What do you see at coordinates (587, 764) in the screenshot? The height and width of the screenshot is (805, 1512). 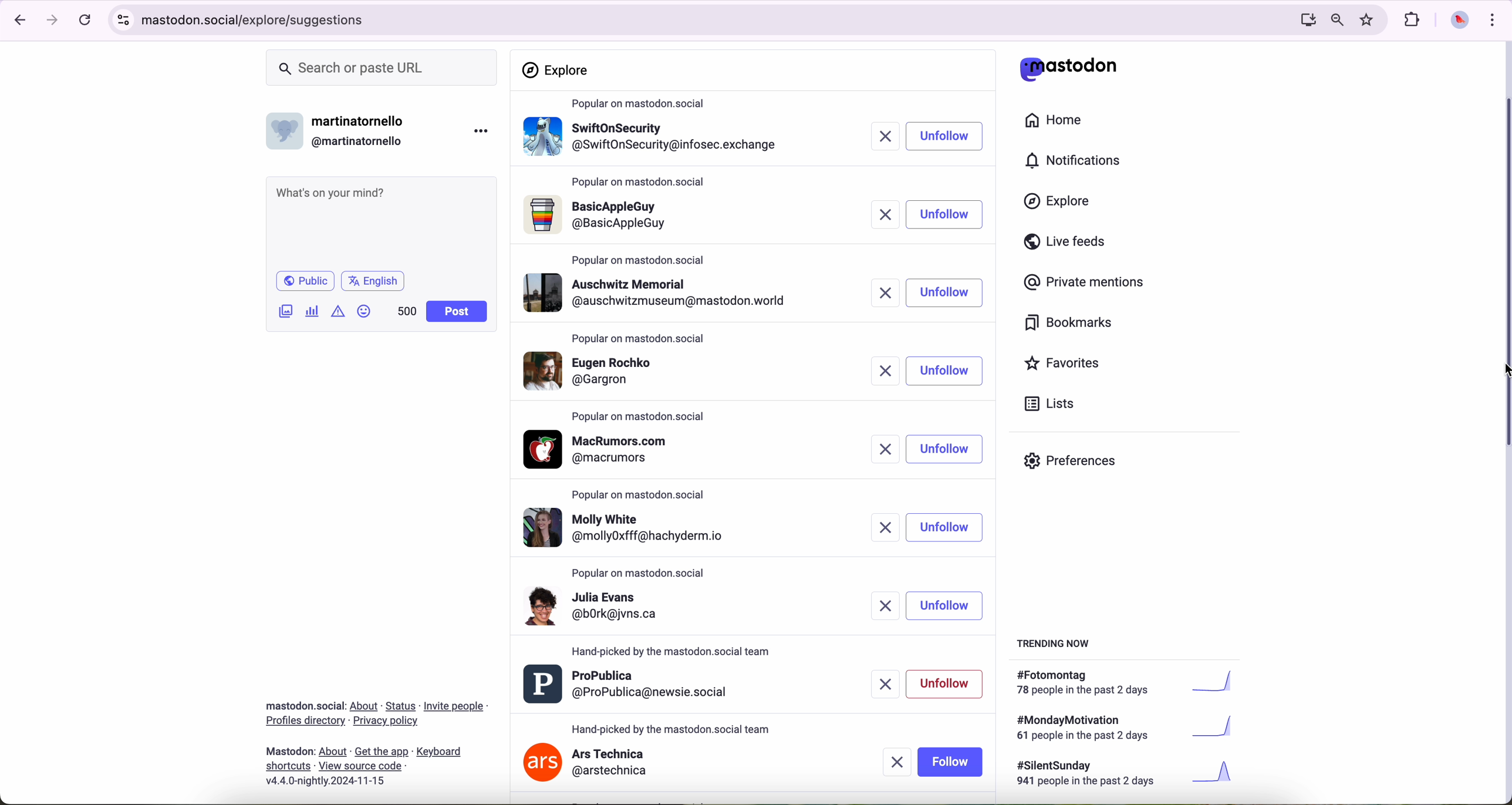 I see `ars technica profile` at bounding box center [587, 764].